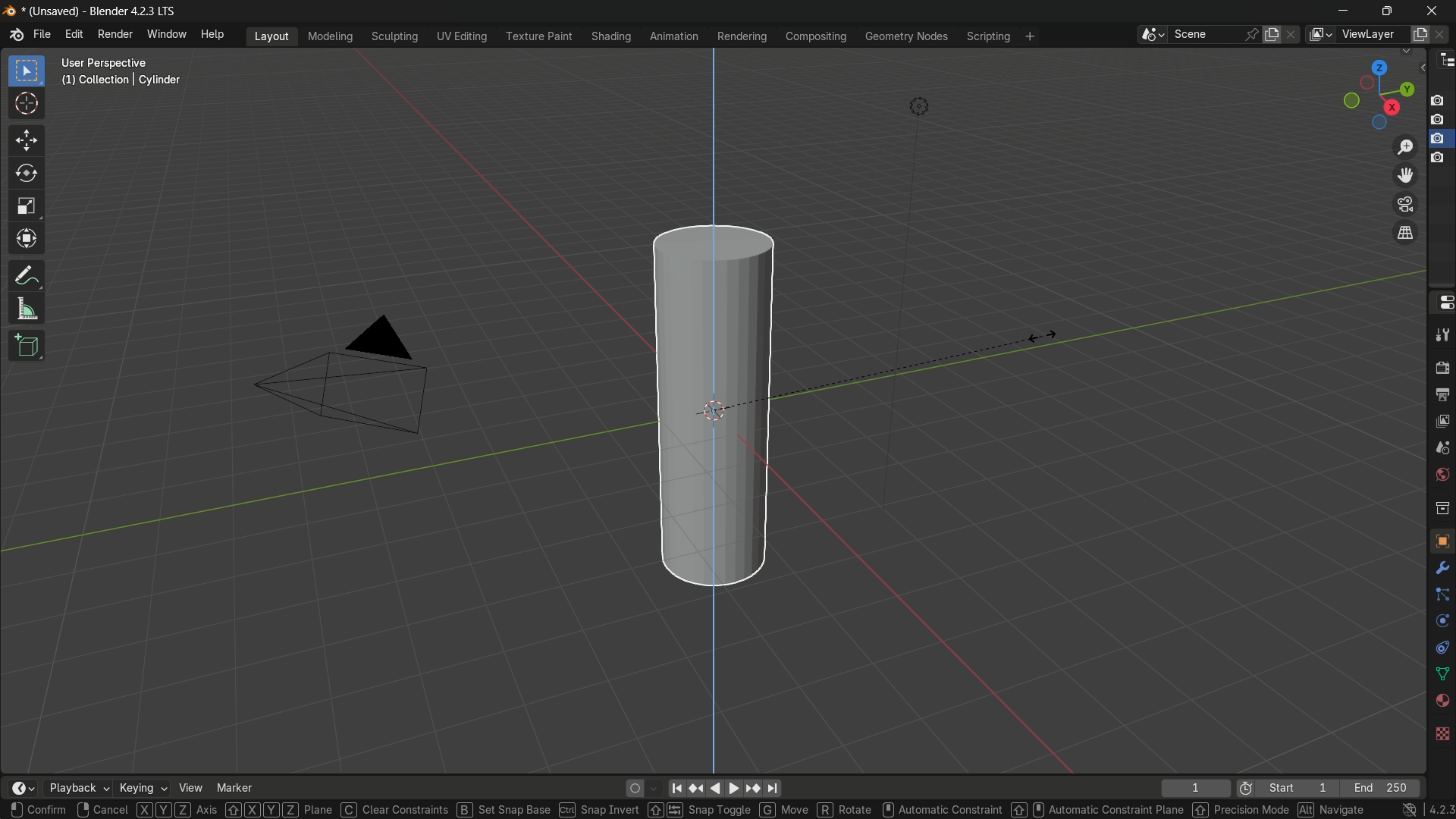  I want to click on toggle camera view, so click(1404, 202).